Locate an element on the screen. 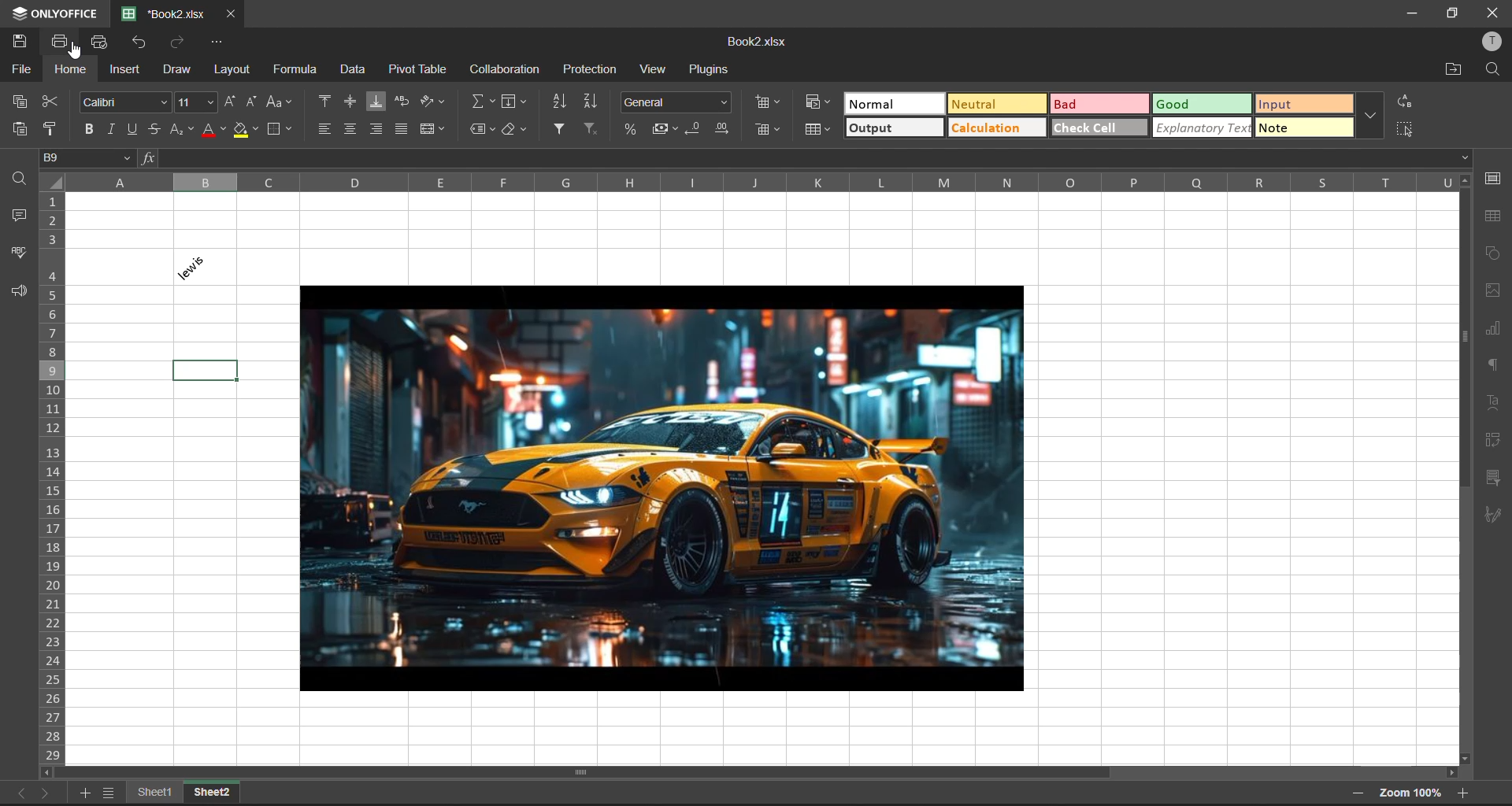  close tab is located at coordinates (229, 16).